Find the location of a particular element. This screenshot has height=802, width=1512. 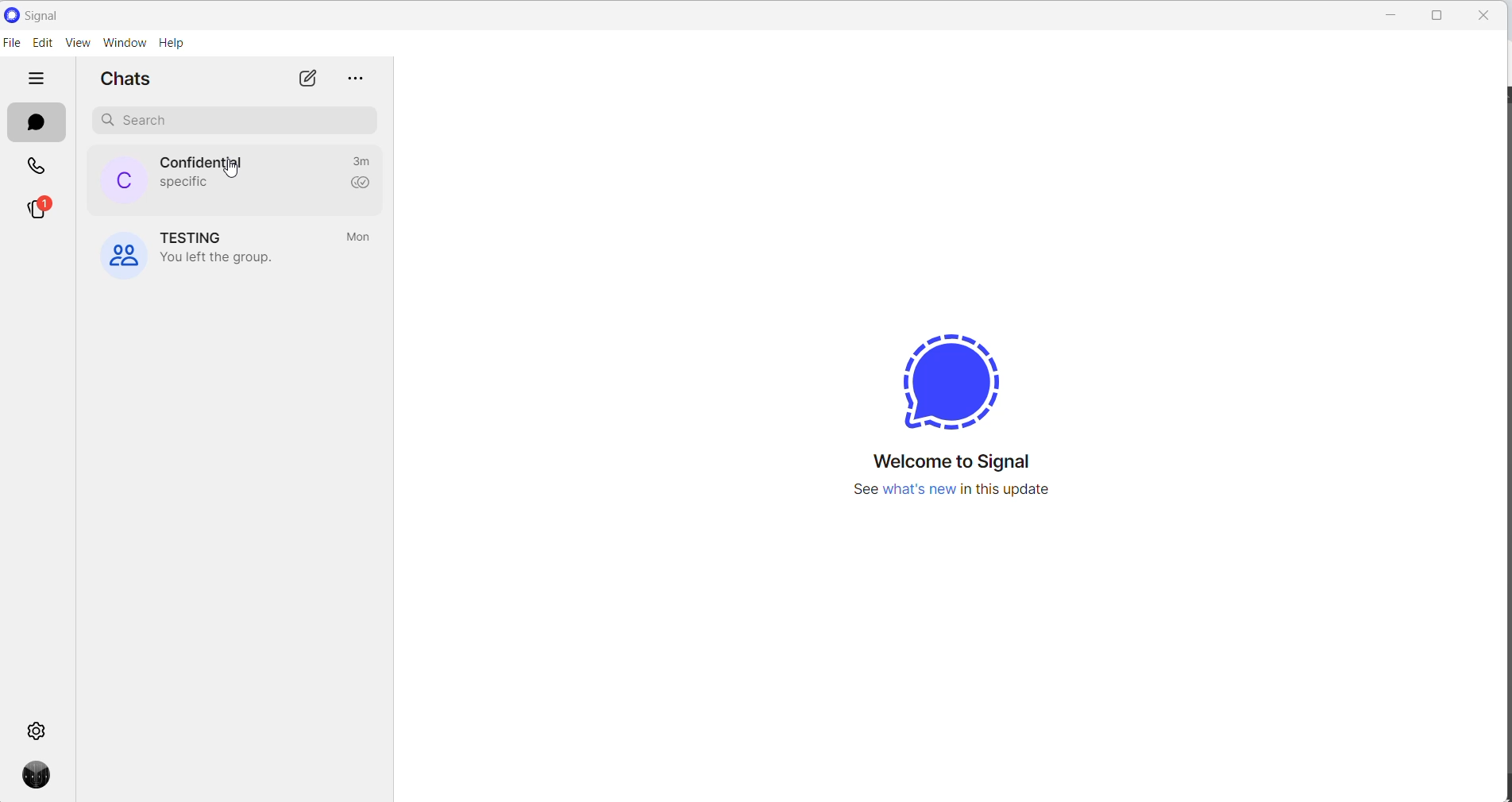

hide tabs is located at coordinates (36, 77).